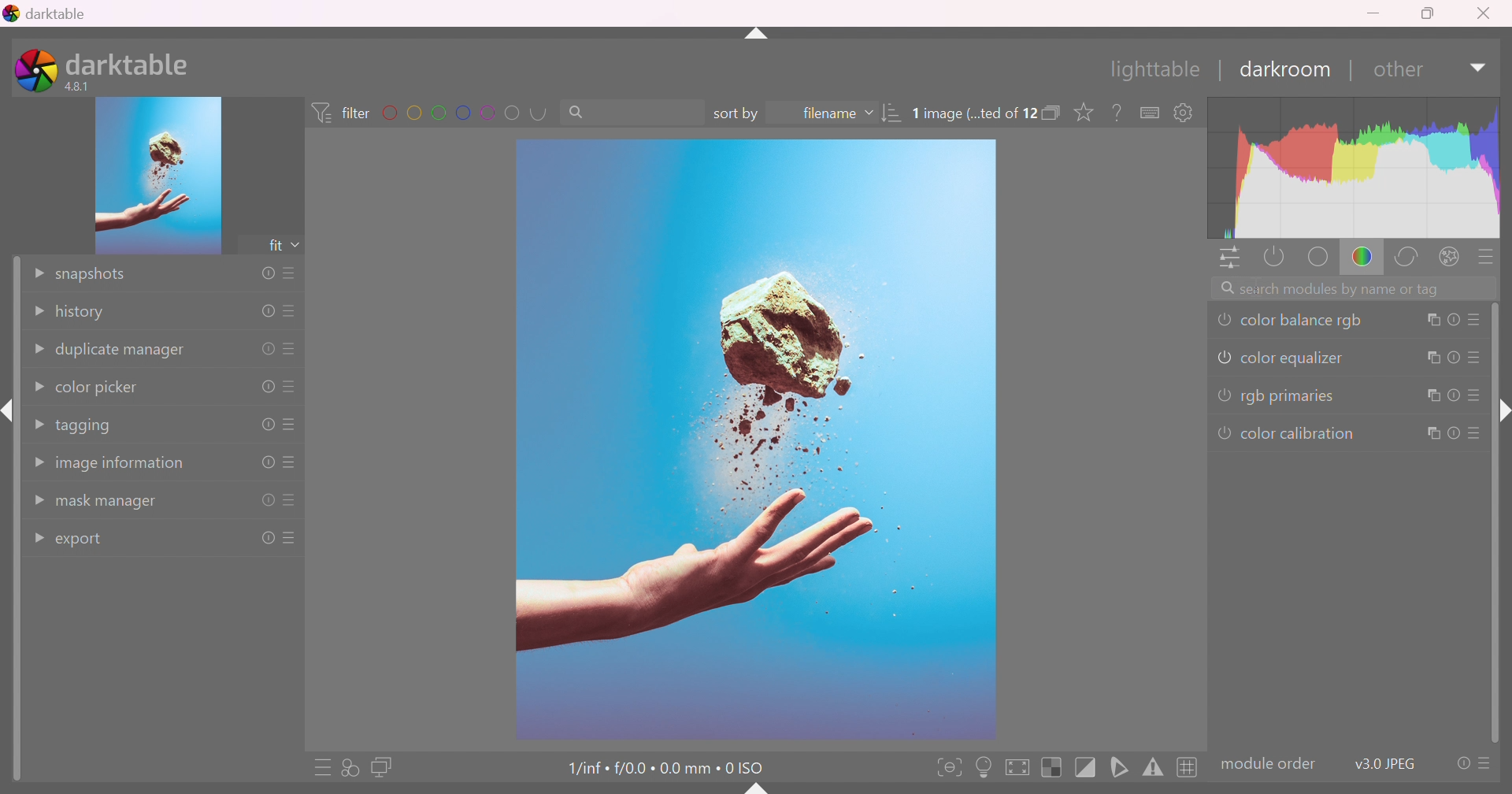 The image size is (1512, 794). Describe the element at coordinates (895, 110) in the screenshot. I see `sort` at that location.